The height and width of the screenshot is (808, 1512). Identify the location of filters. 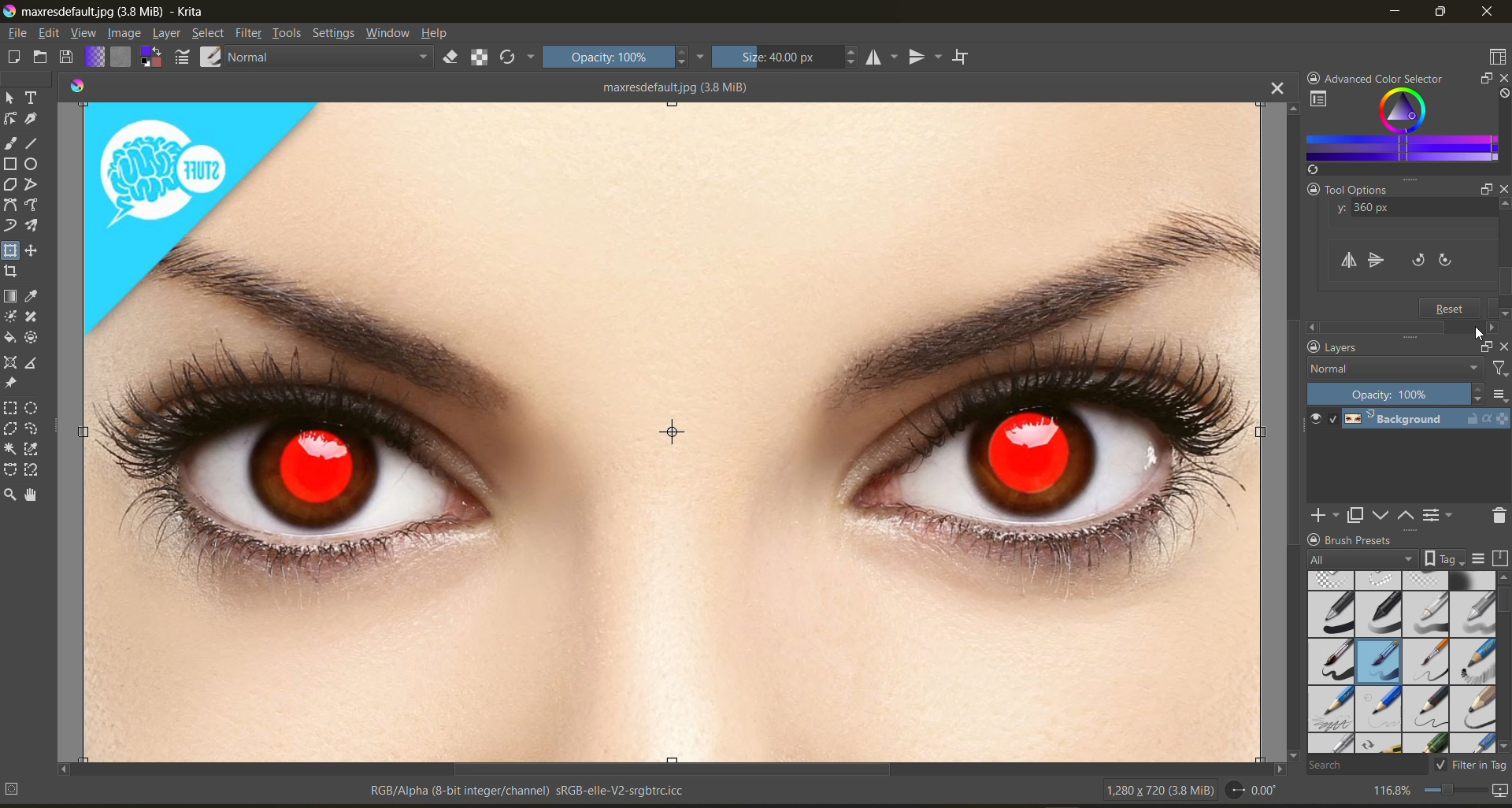
(250, 34).